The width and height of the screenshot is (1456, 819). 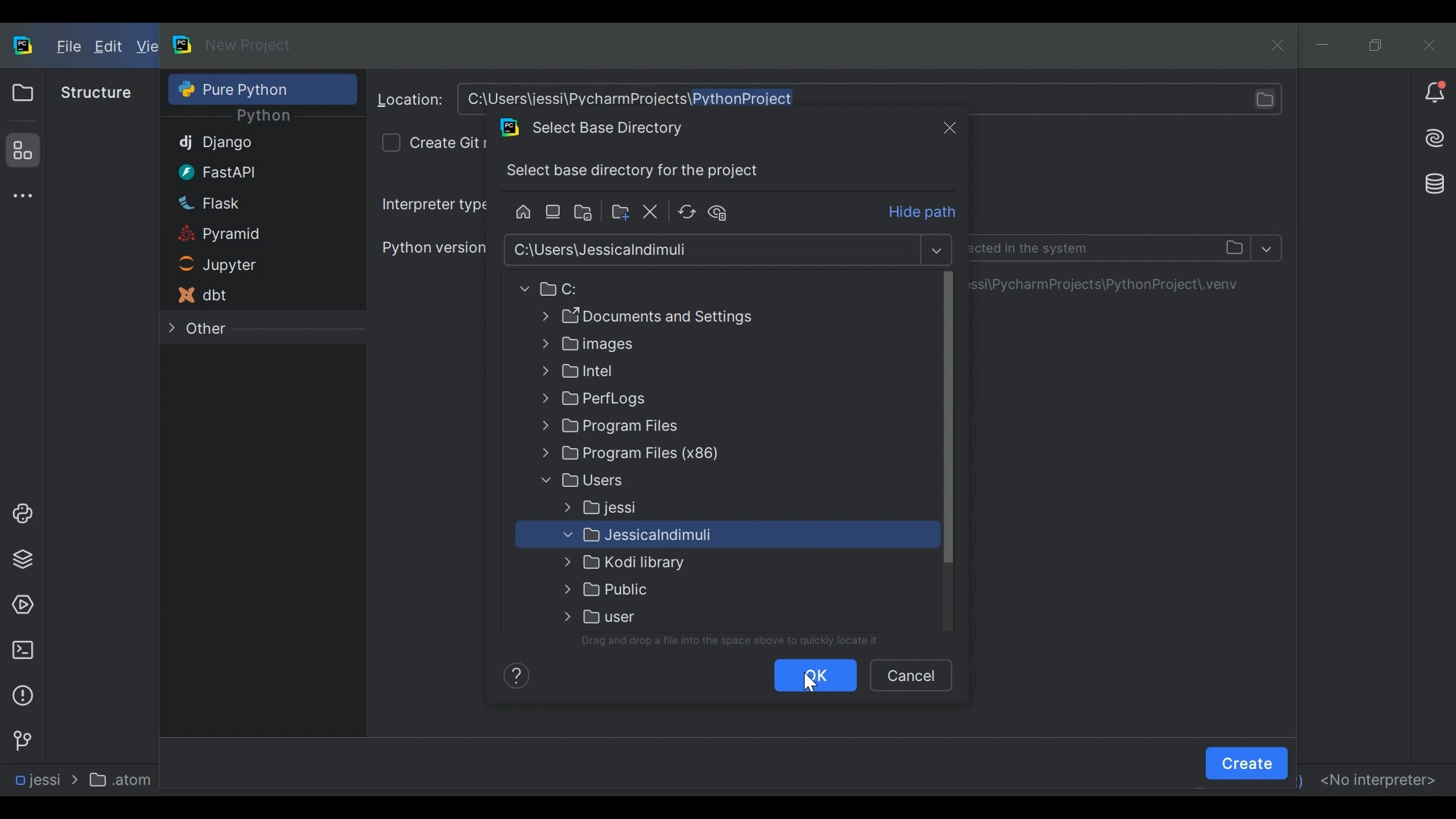 What do you see at coordinates (24, 47) in the screenshot?
I see `PyCharm Desktop Icon` at bounding box center [24, 47].